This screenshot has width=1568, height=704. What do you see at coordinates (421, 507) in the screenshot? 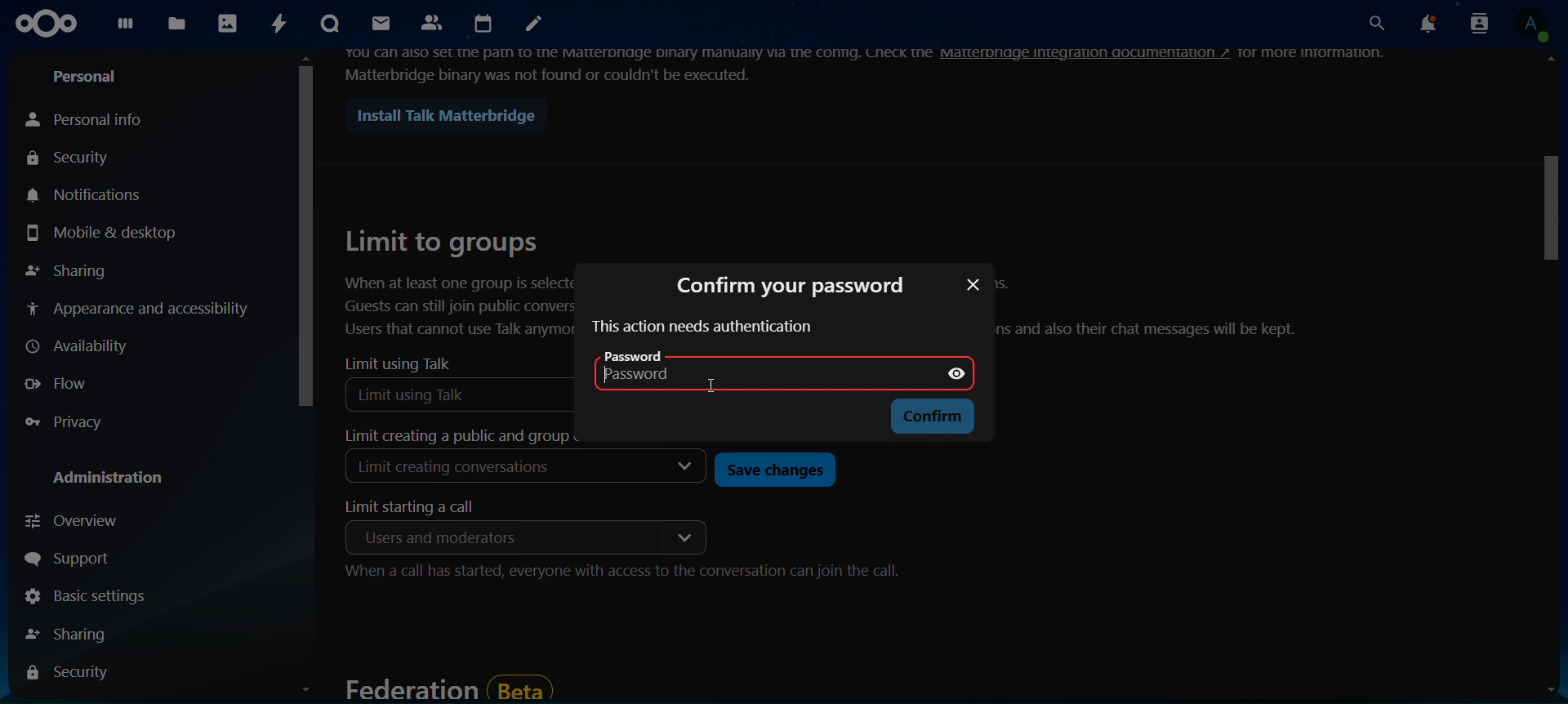
I see `limit starting a call` at bounding box center [421, 507].